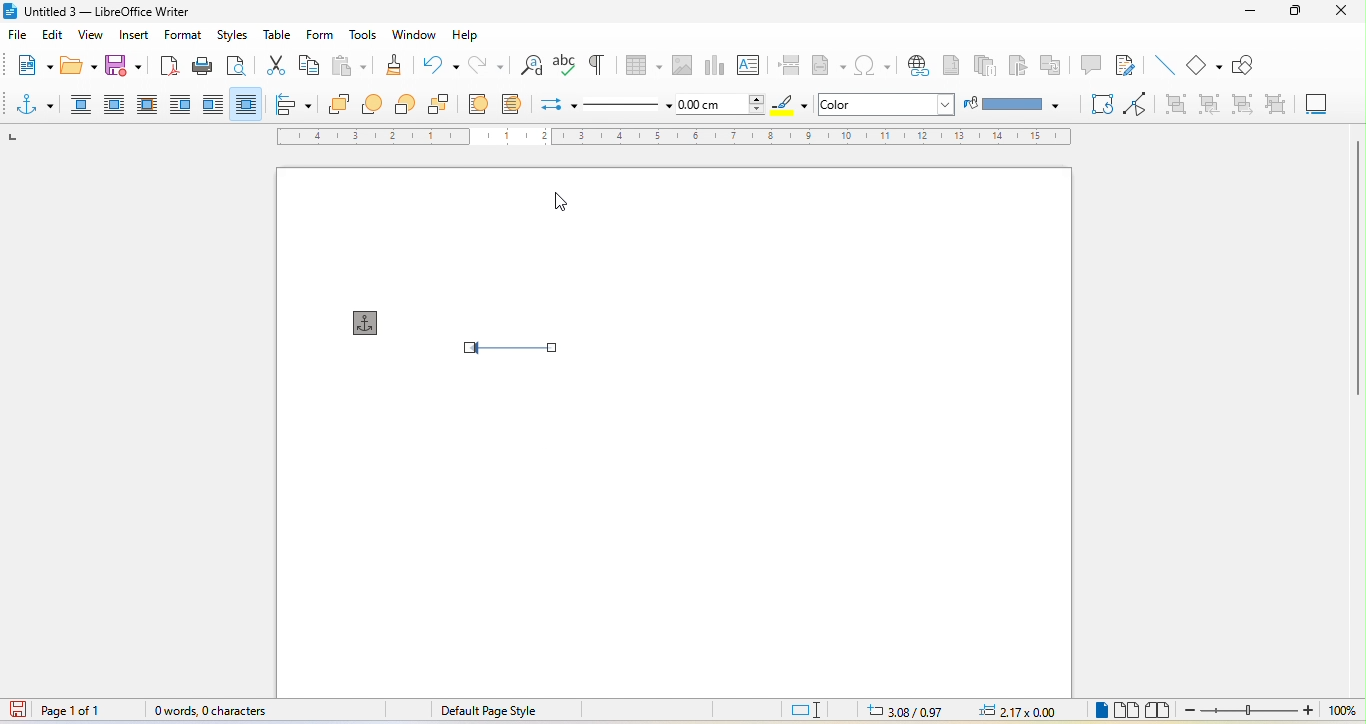  What do you see at coordinates (202, 65) in the screenshot?
I see `print` at bounding box center [202, 65].